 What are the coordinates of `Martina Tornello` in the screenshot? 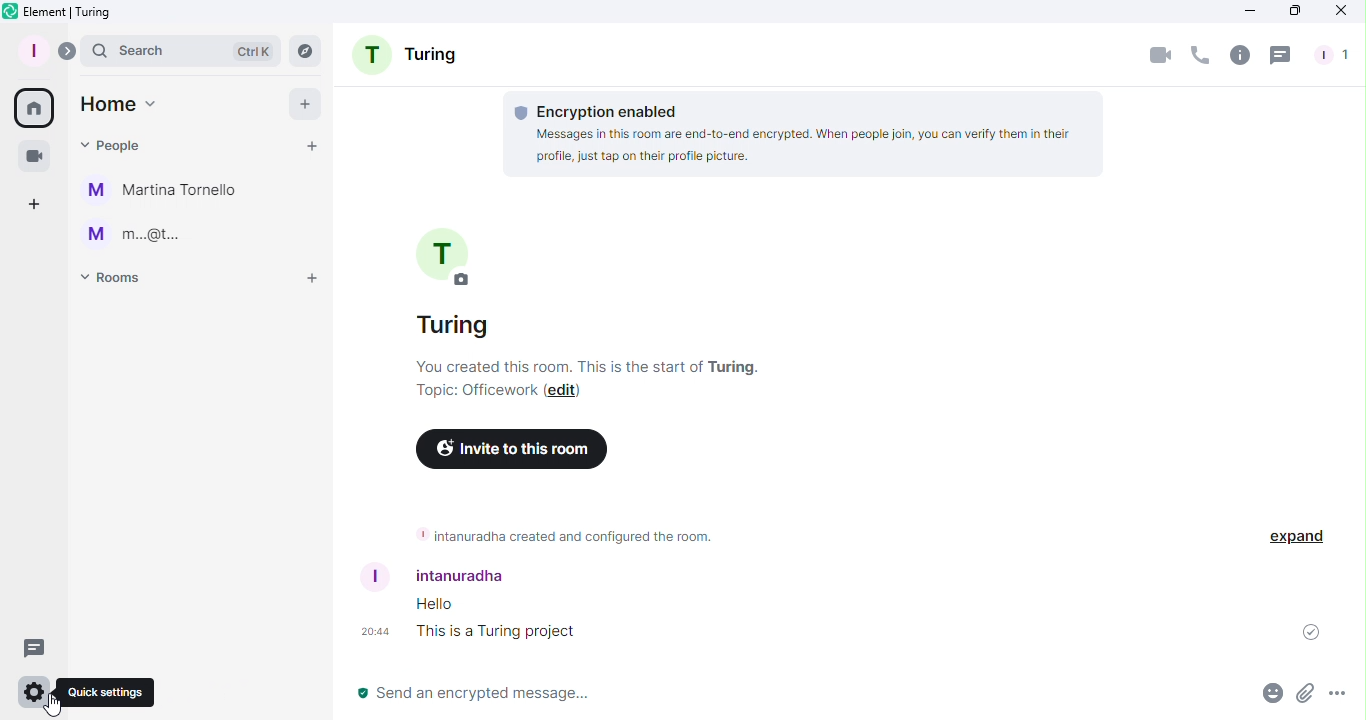 It's located at (169, 190).